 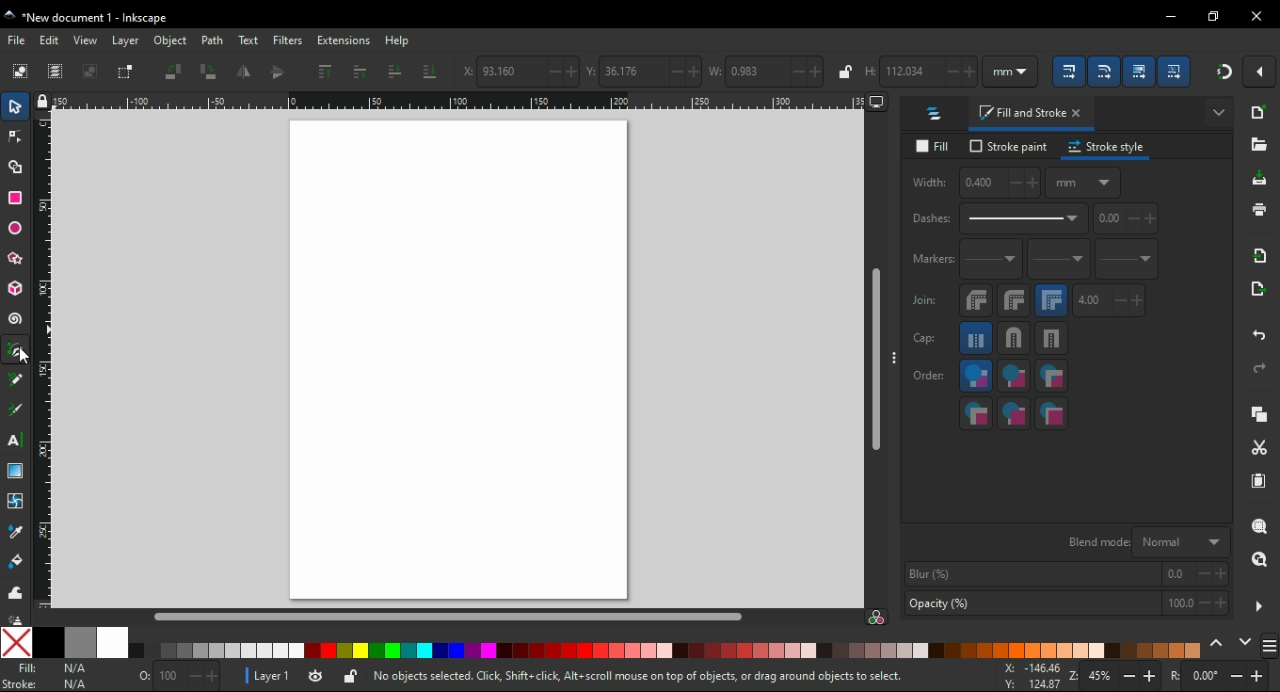 I want to click on rectangle tool, so click(x=16, y=197).